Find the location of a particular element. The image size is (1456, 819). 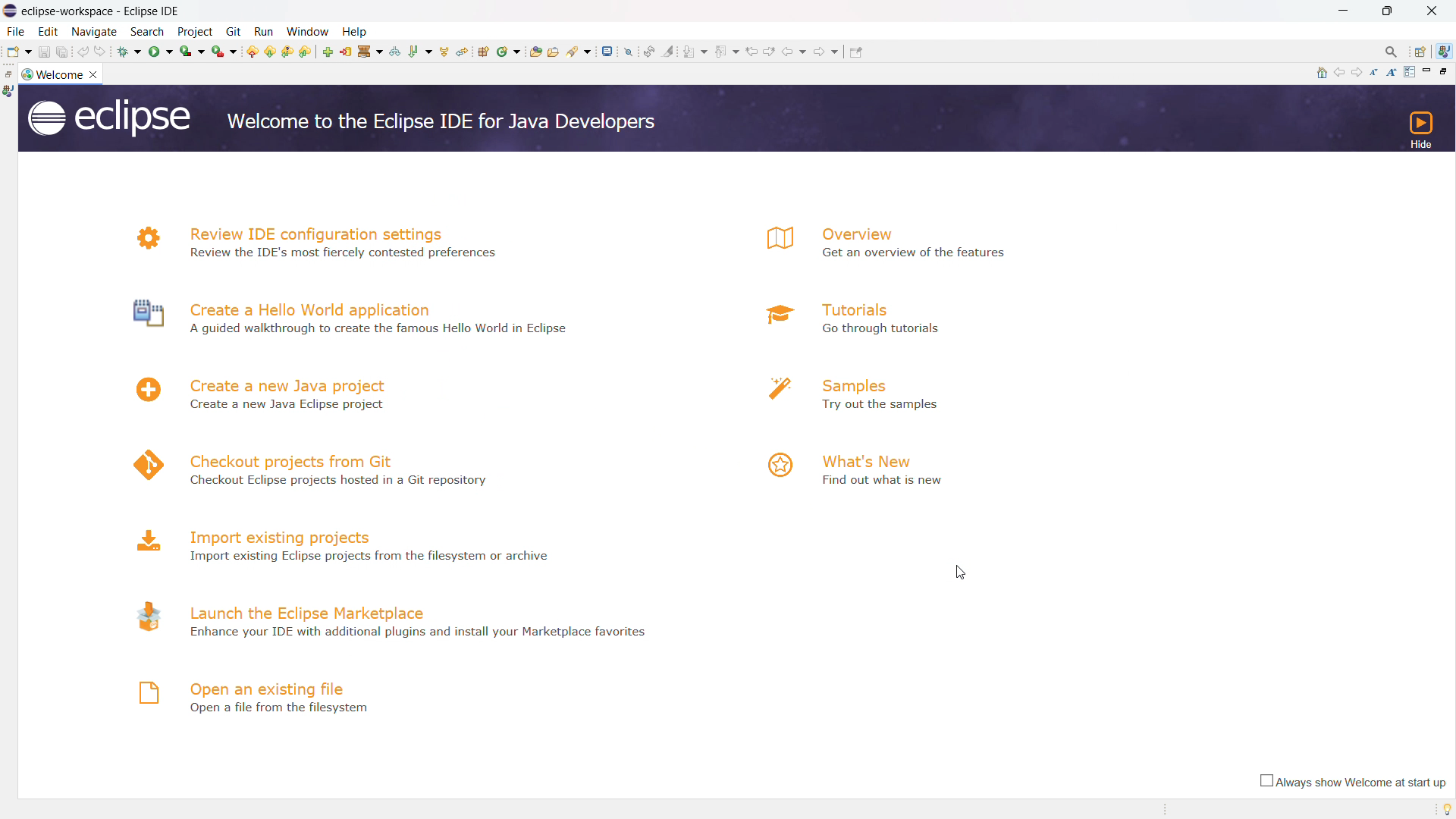

logo is located at coordinates (141, 315).